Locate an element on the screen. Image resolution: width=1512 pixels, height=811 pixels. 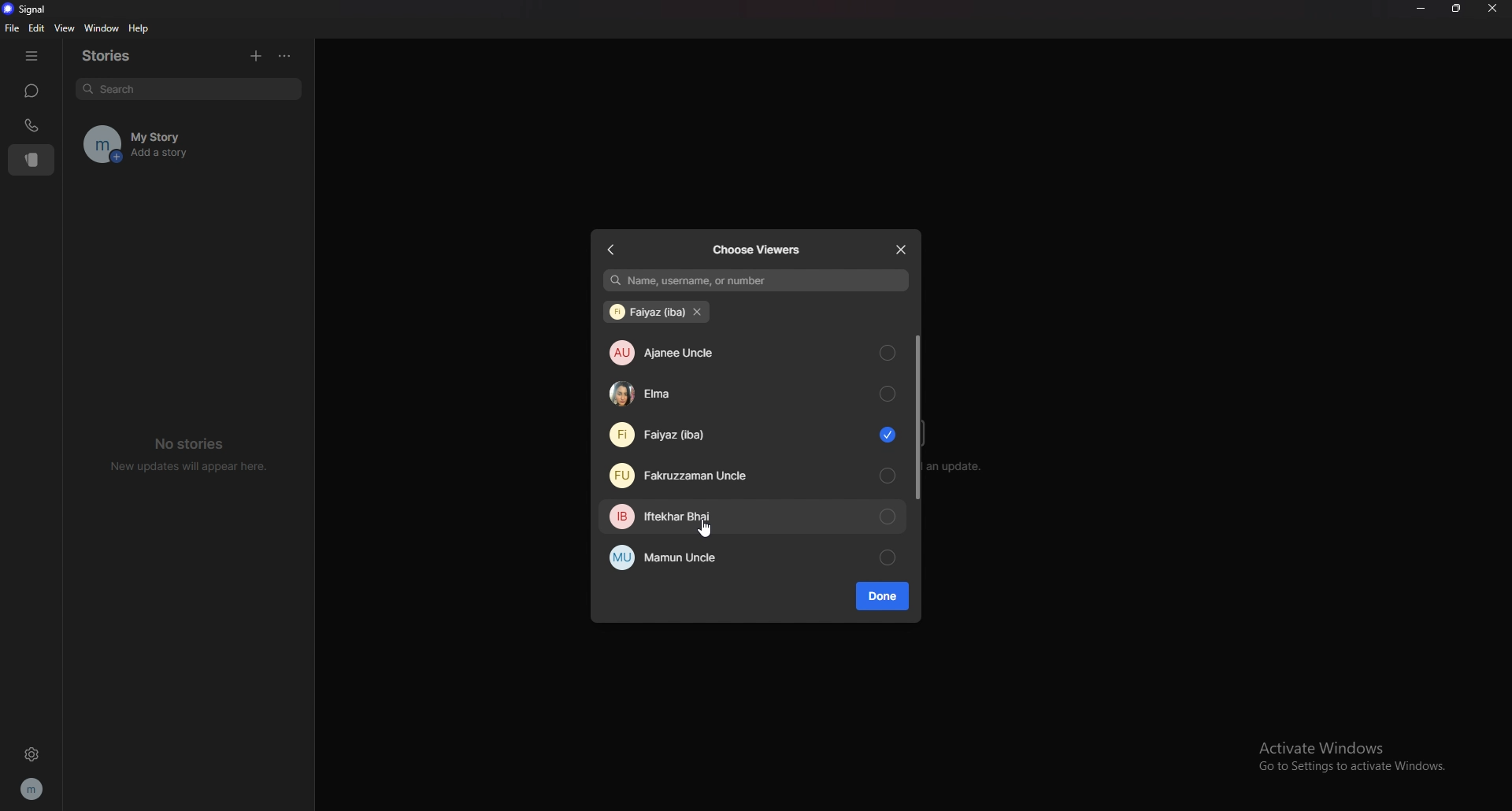
no stories new updates will appear here is located at coordinates (186, 455).